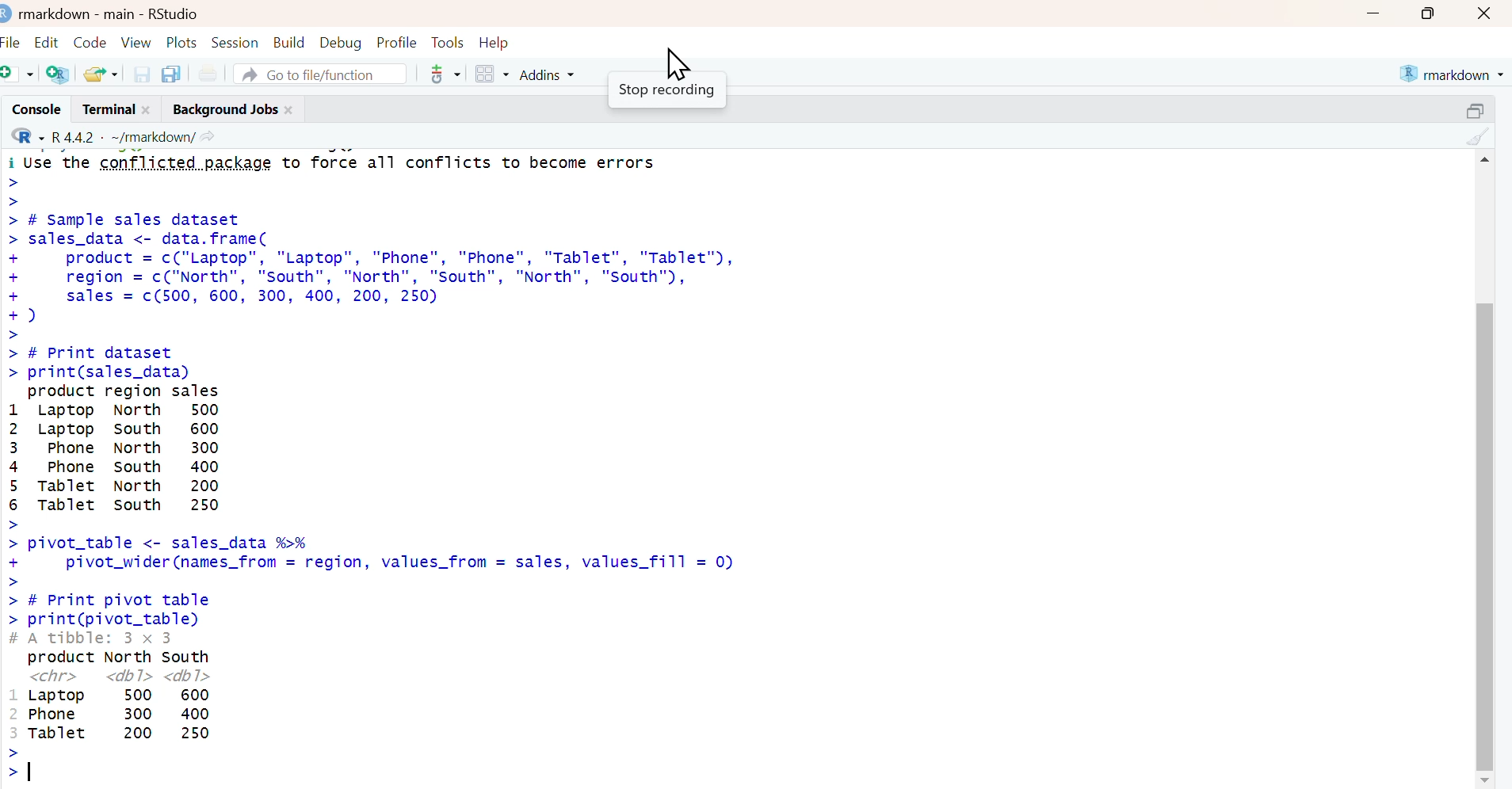 The height and width of the screenshot is (789, 1512). Describe the element at coordinates (447, 40) in the screenshot. I see `Tools` at that location.